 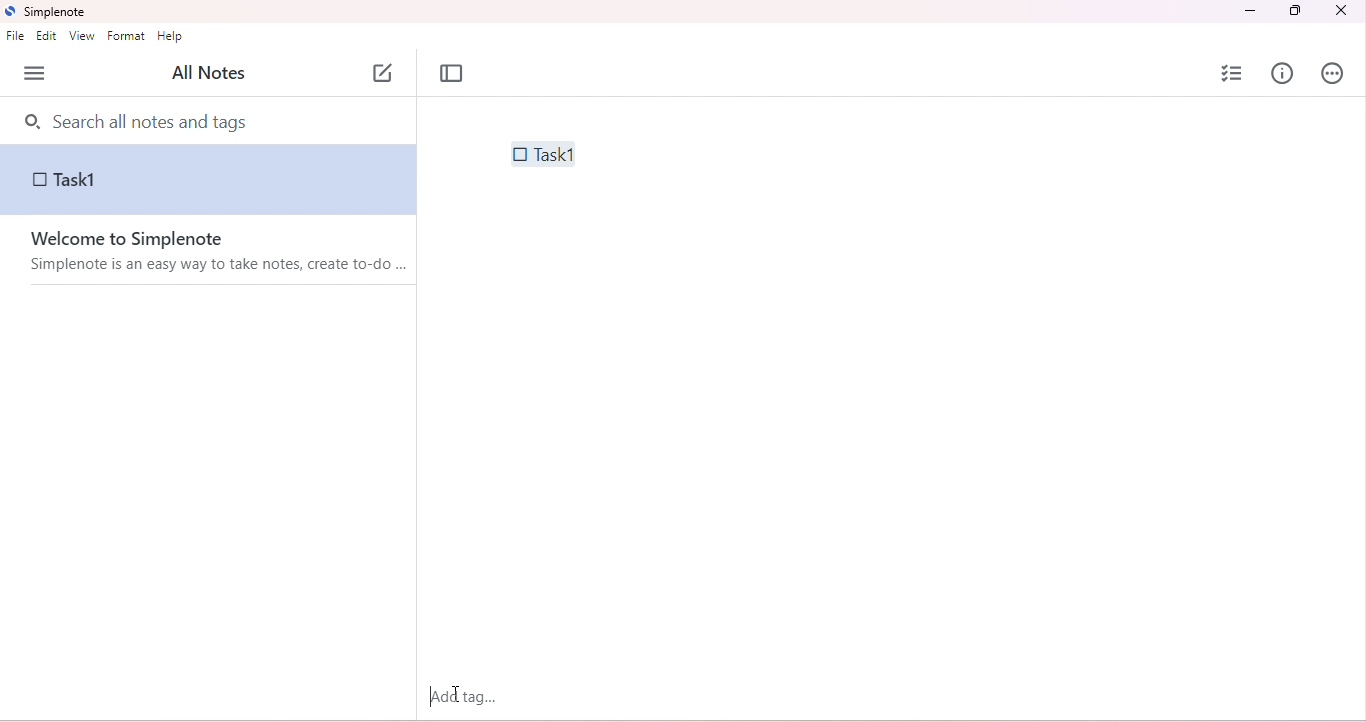 I want to click on cursor movement, so click(x=459, y=695).